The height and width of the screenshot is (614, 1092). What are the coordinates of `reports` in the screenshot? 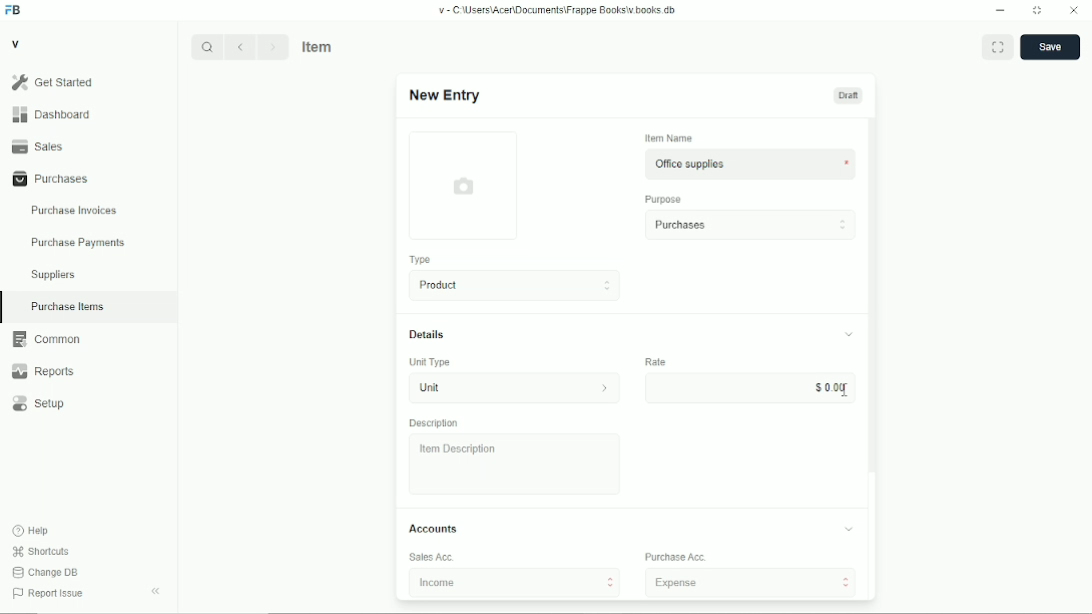 It's located at (42, 371).